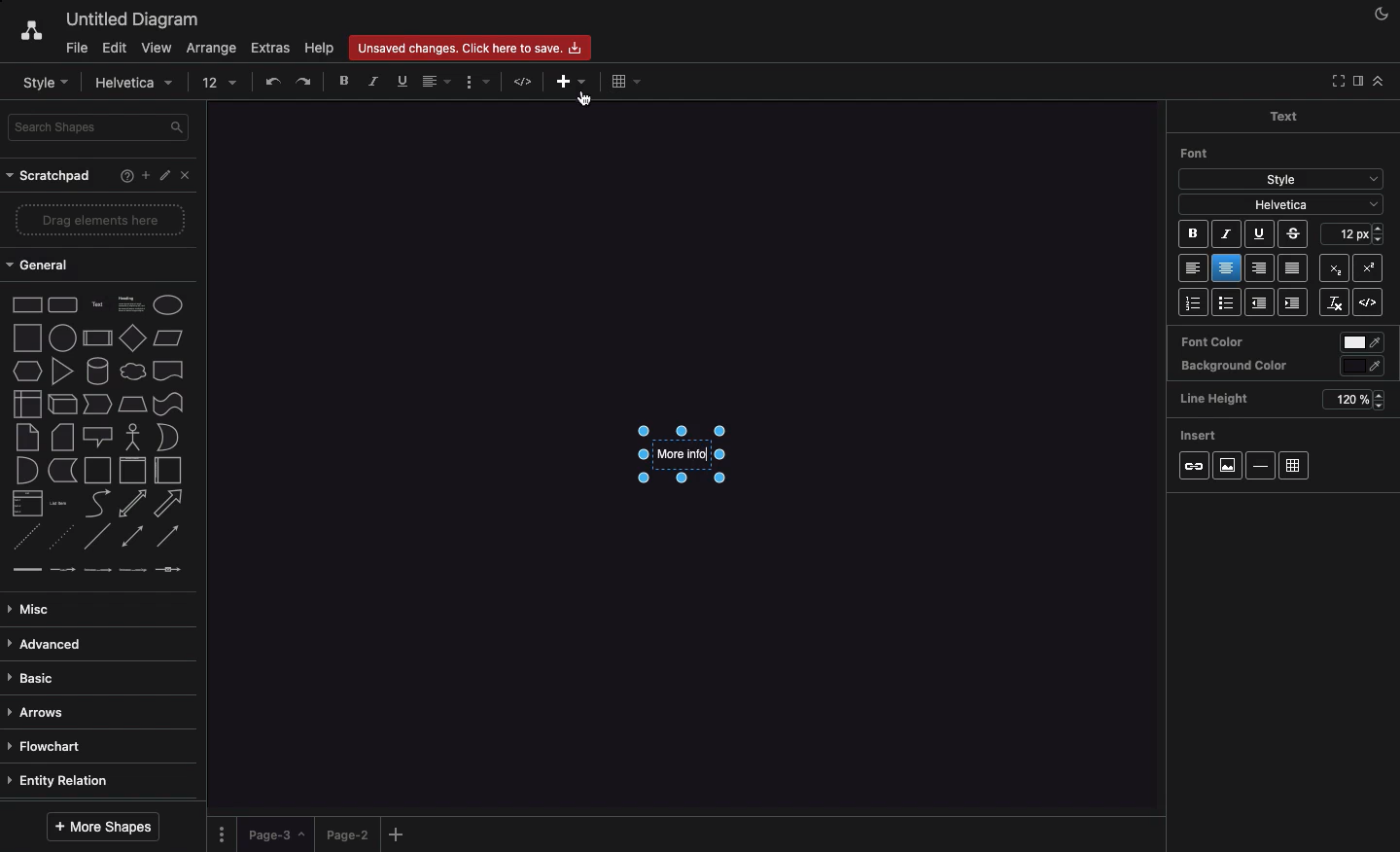 Image resolution: width=1400 pixels, height=852 pixels. I want to click on Page 2, so click(345, 834).